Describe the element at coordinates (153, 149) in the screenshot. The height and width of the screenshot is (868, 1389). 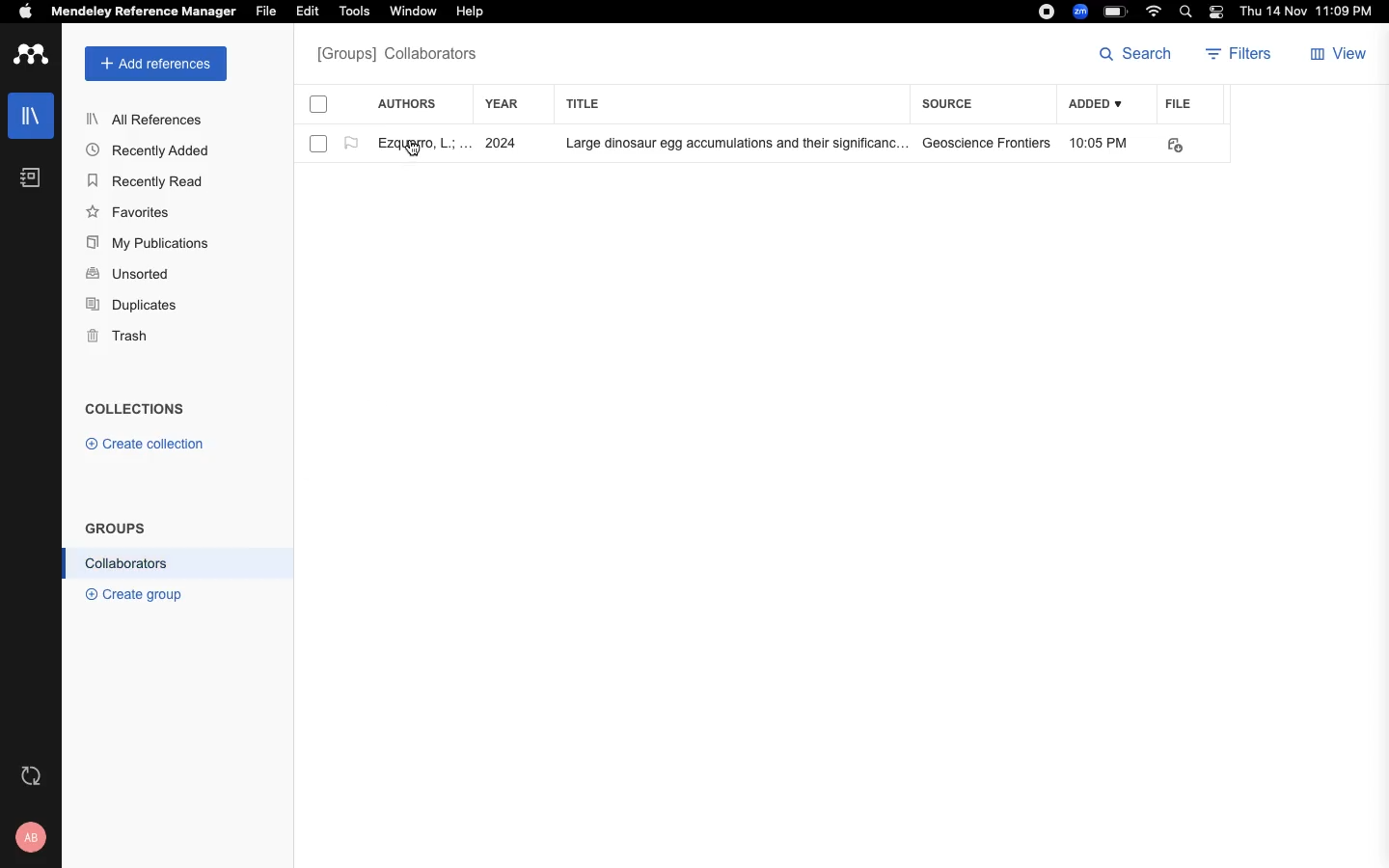
I see `Recently Added` at that location.